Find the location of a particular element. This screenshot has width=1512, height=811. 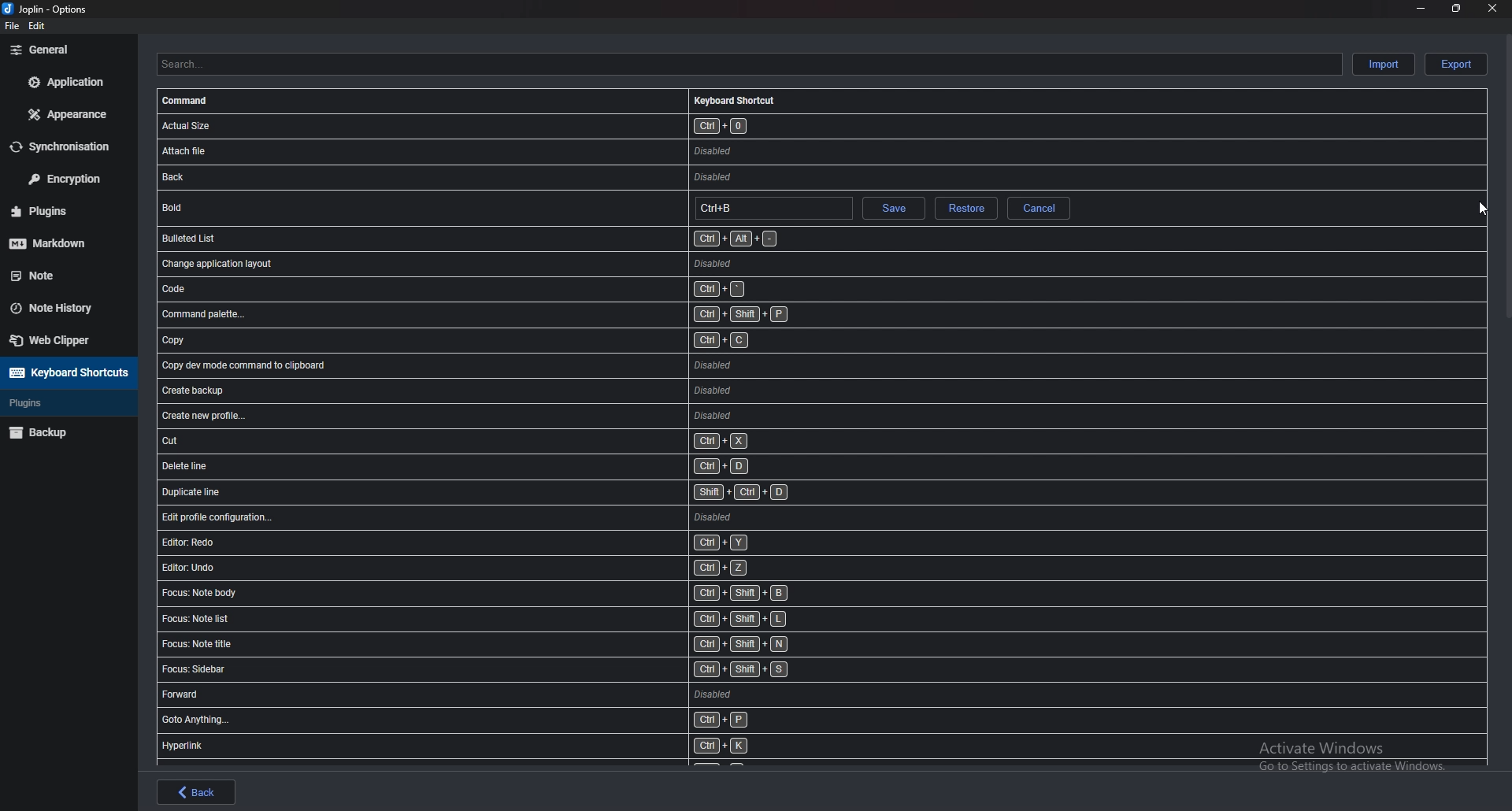

shortcut is located at coordinates (517, 593).